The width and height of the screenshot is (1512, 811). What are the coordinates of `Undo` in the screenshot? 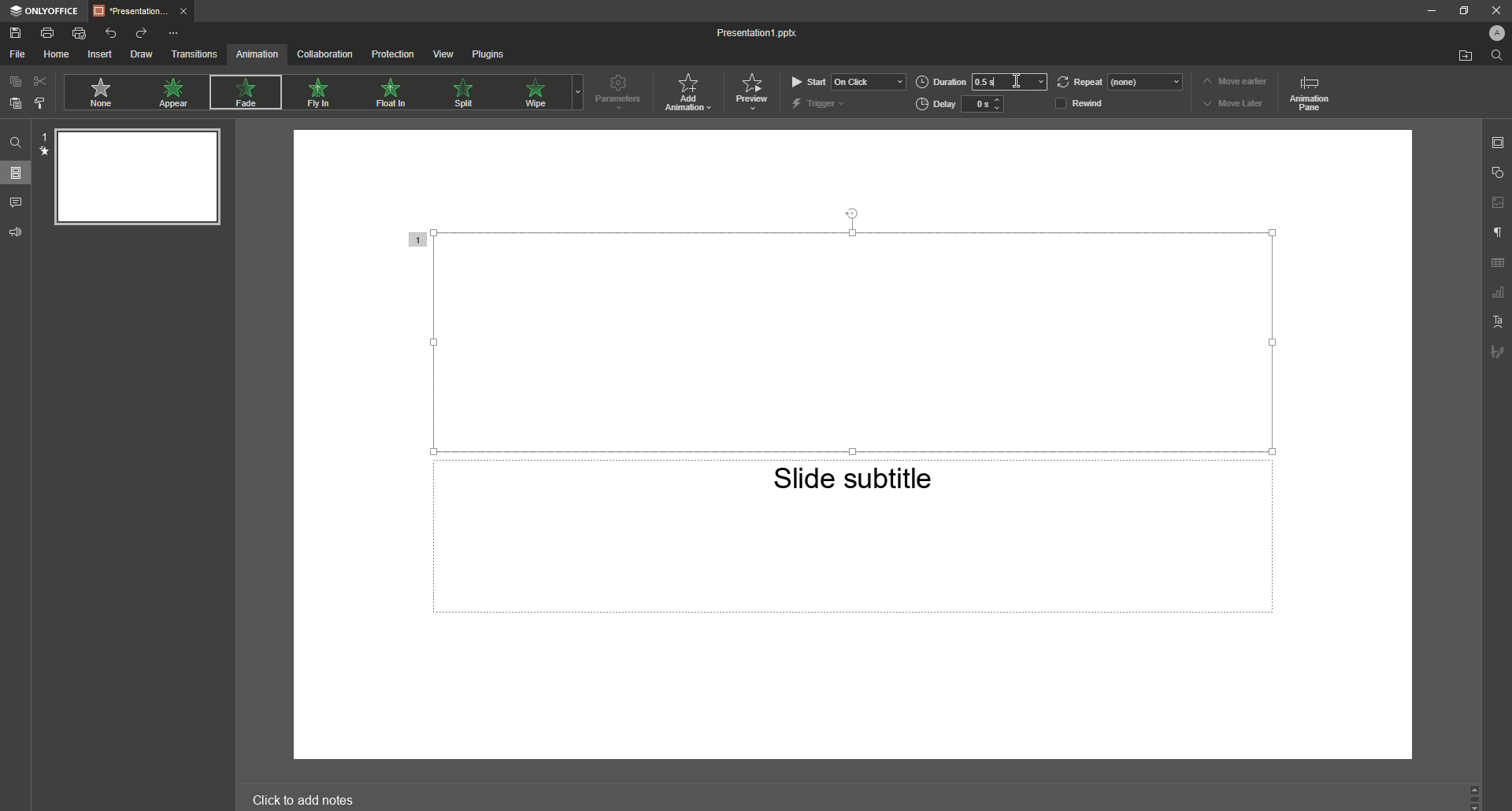 It's located at (109, 32).